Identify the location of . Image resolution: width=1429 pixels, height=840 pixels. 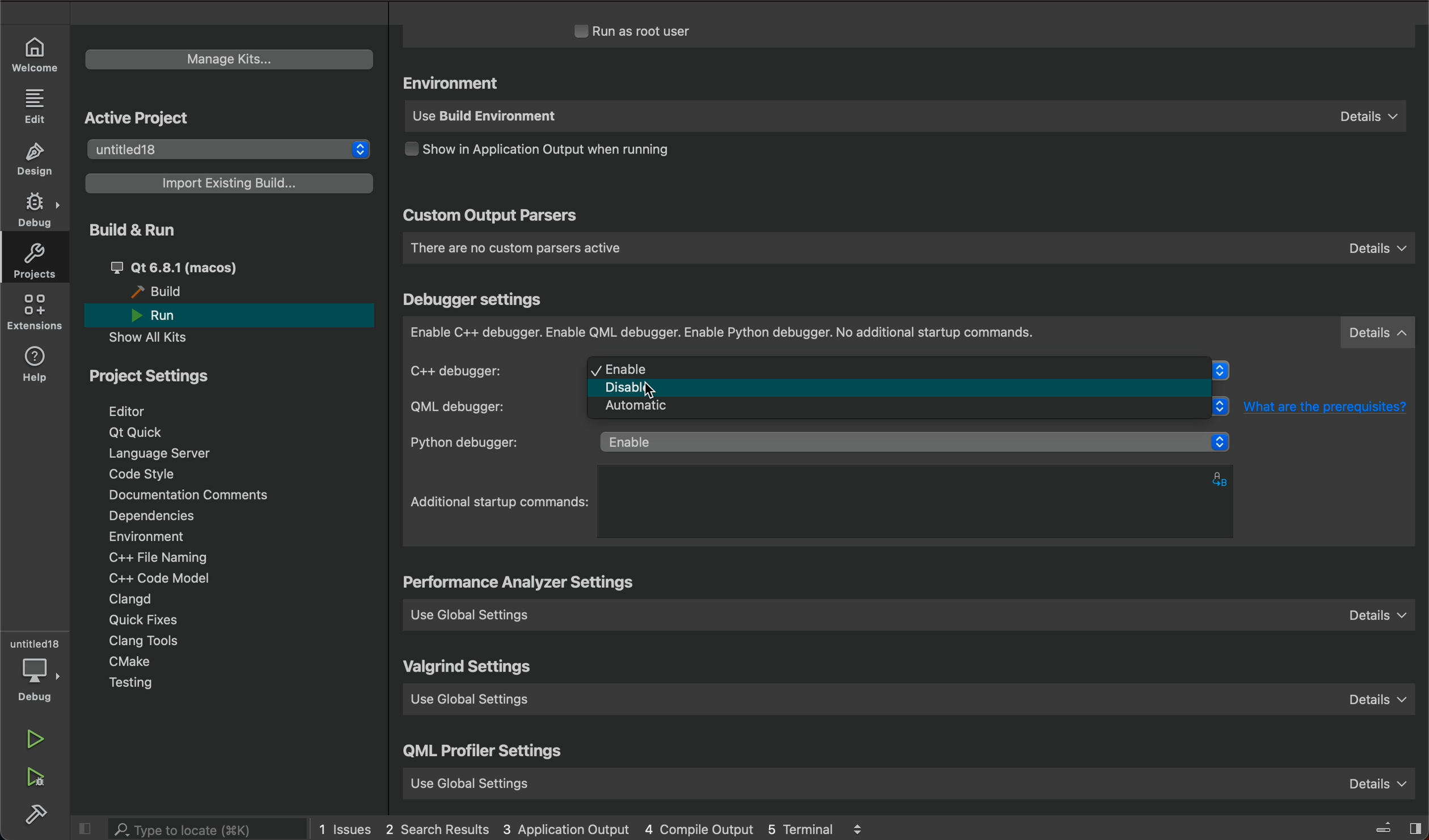
(904, 388).